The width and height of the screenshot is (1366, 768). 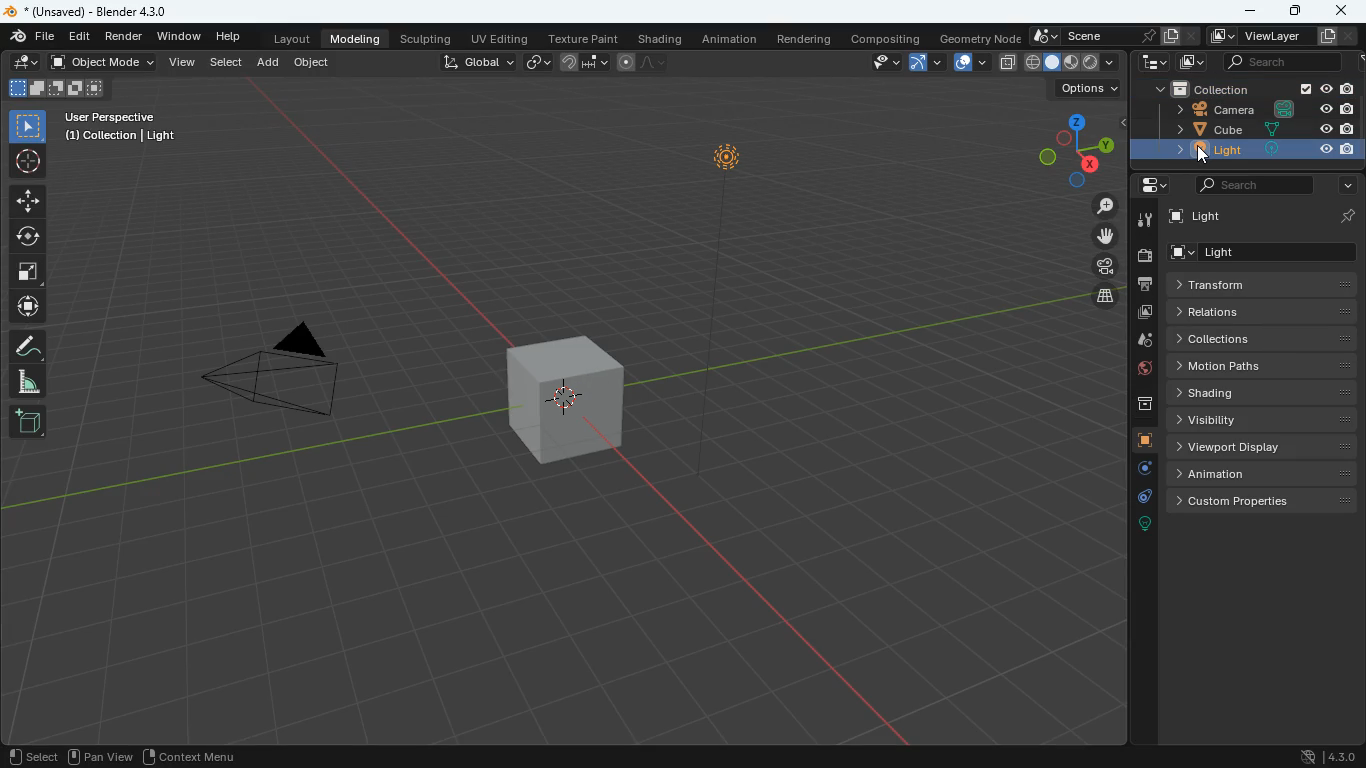 What do you see at coordinates (32, 756) in the screenshot?
I see `select` at bounding box center [32, 756].